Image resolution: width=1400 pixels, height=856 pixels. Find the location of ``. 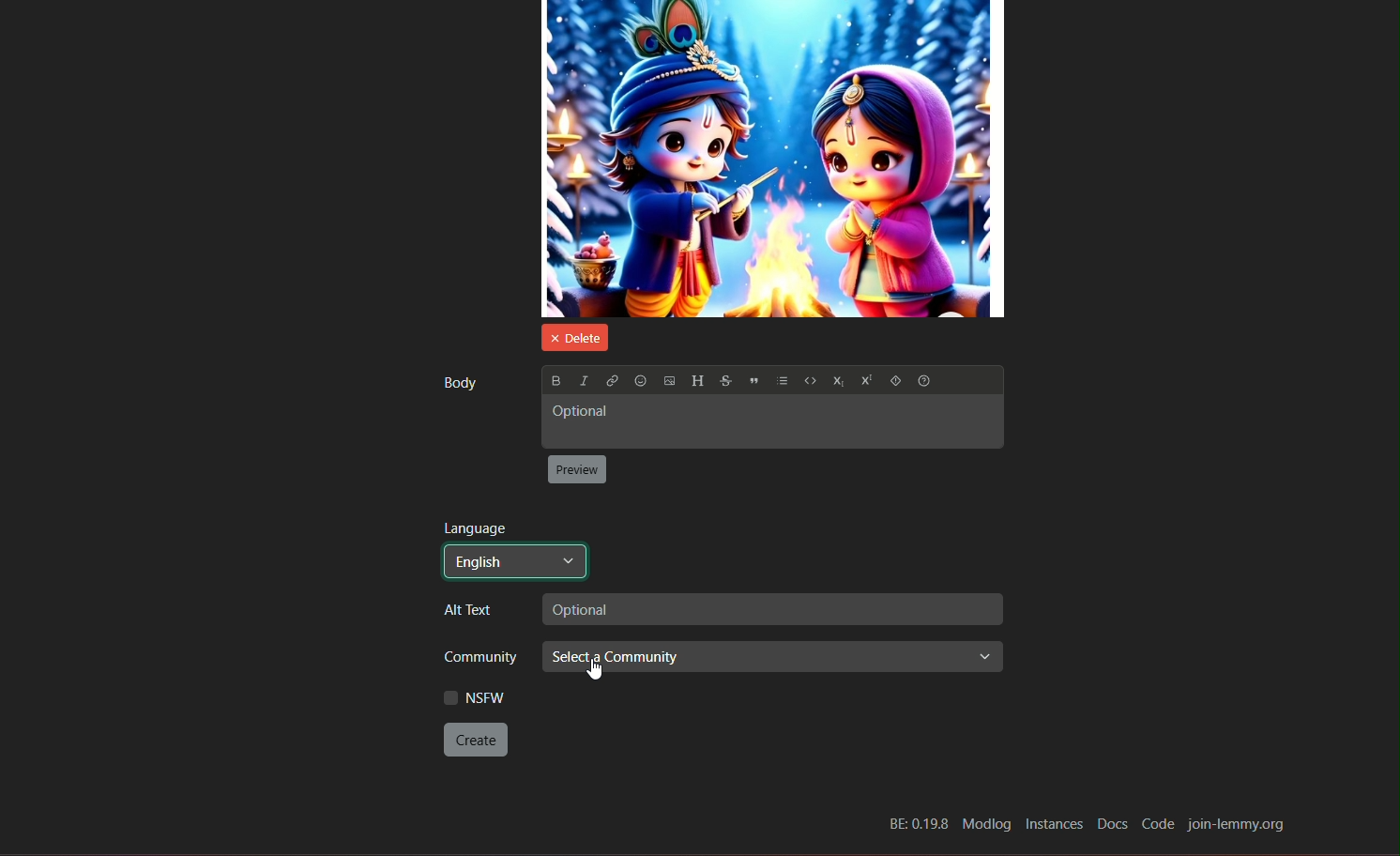

 is located at coordinates (894, 382).